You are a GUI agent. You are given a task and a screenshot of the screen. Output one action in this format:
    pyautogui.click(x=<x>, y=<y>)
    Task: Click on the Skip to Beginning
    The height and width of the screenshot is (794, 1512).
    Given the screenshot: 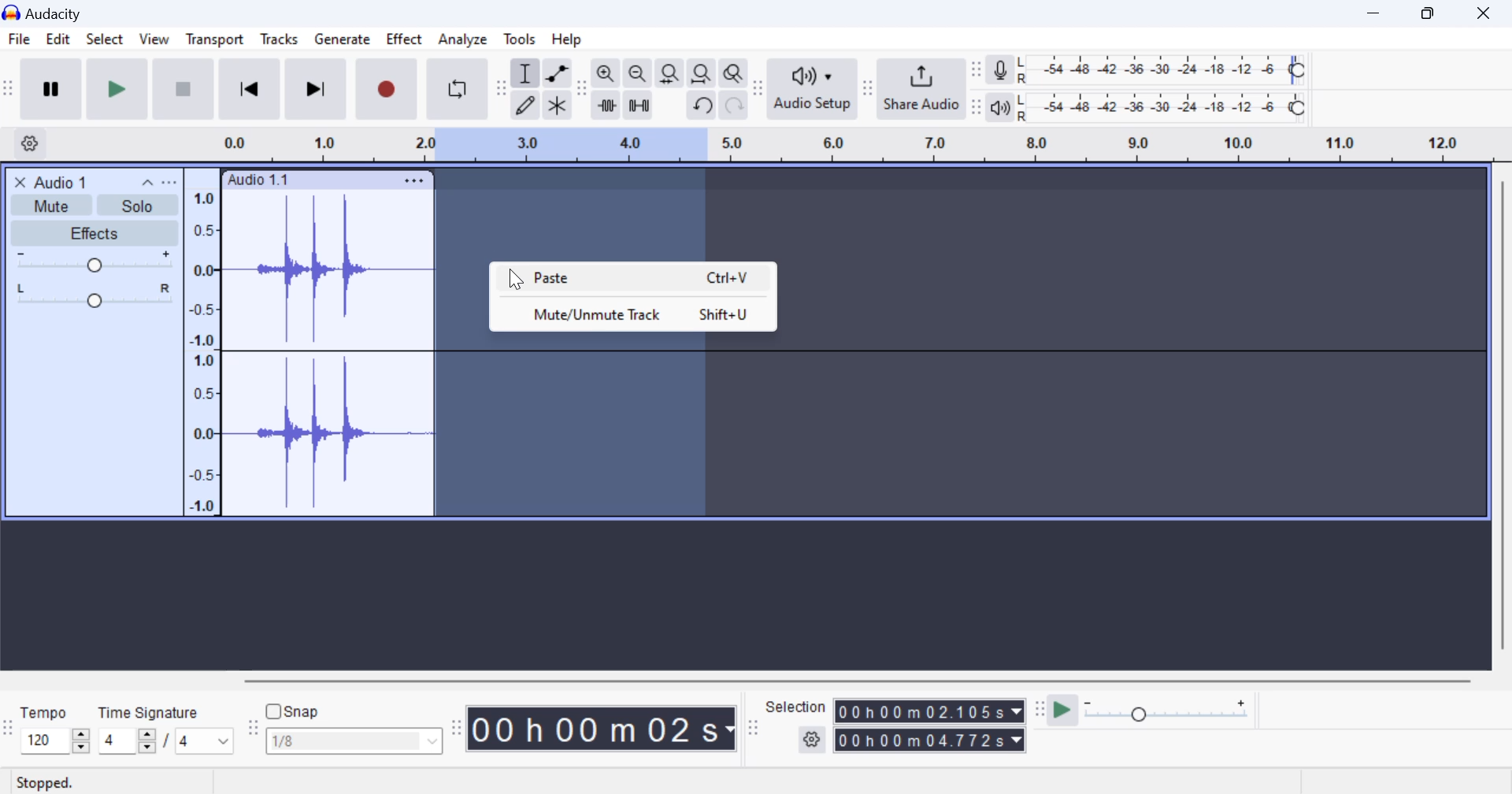 What is the action you would take?
    pyautogui.click(x=249, y=90)
    